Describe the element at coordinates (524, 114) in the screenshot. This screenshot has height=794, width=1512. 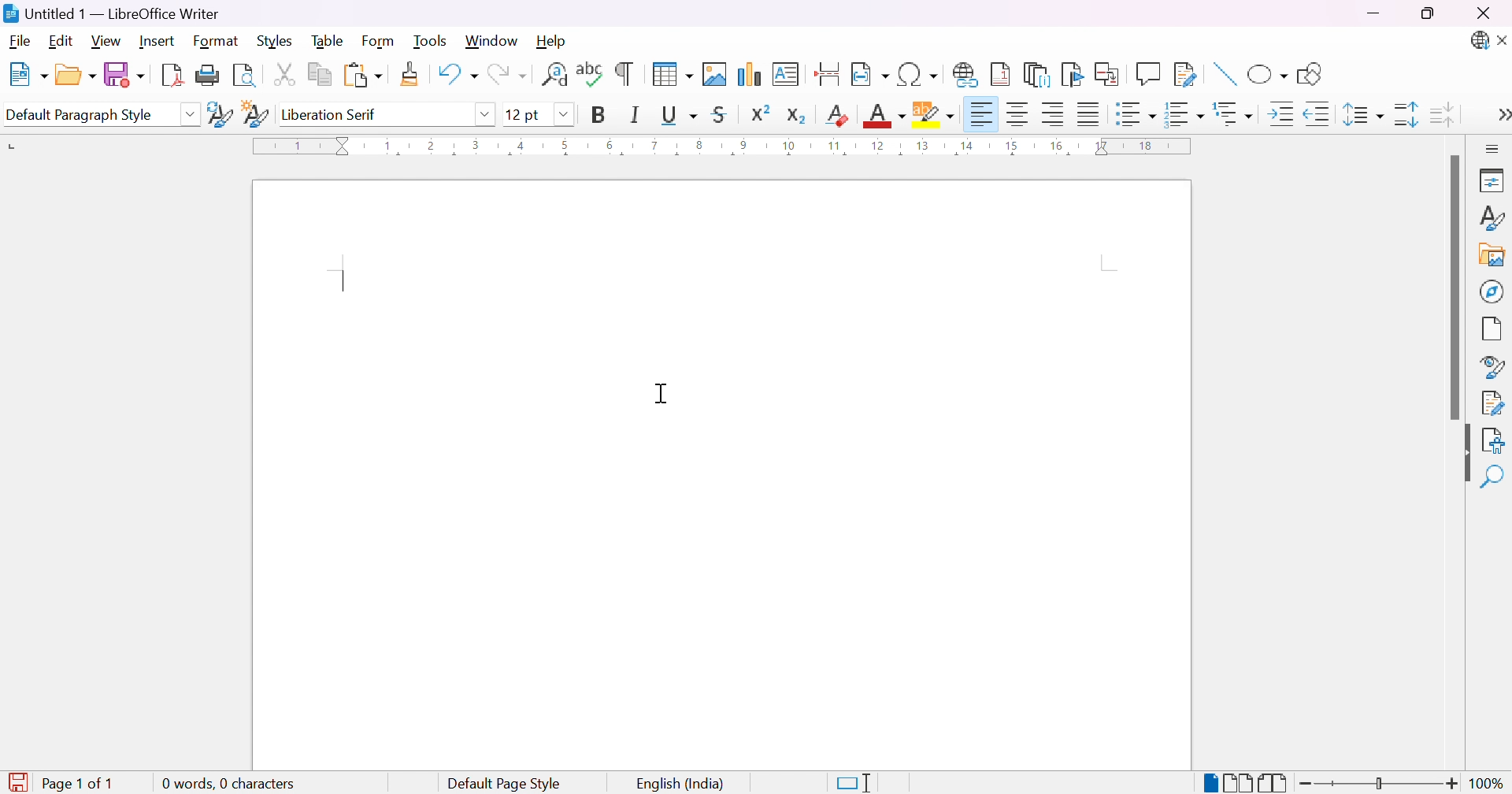
I see `12 pt` at that location.